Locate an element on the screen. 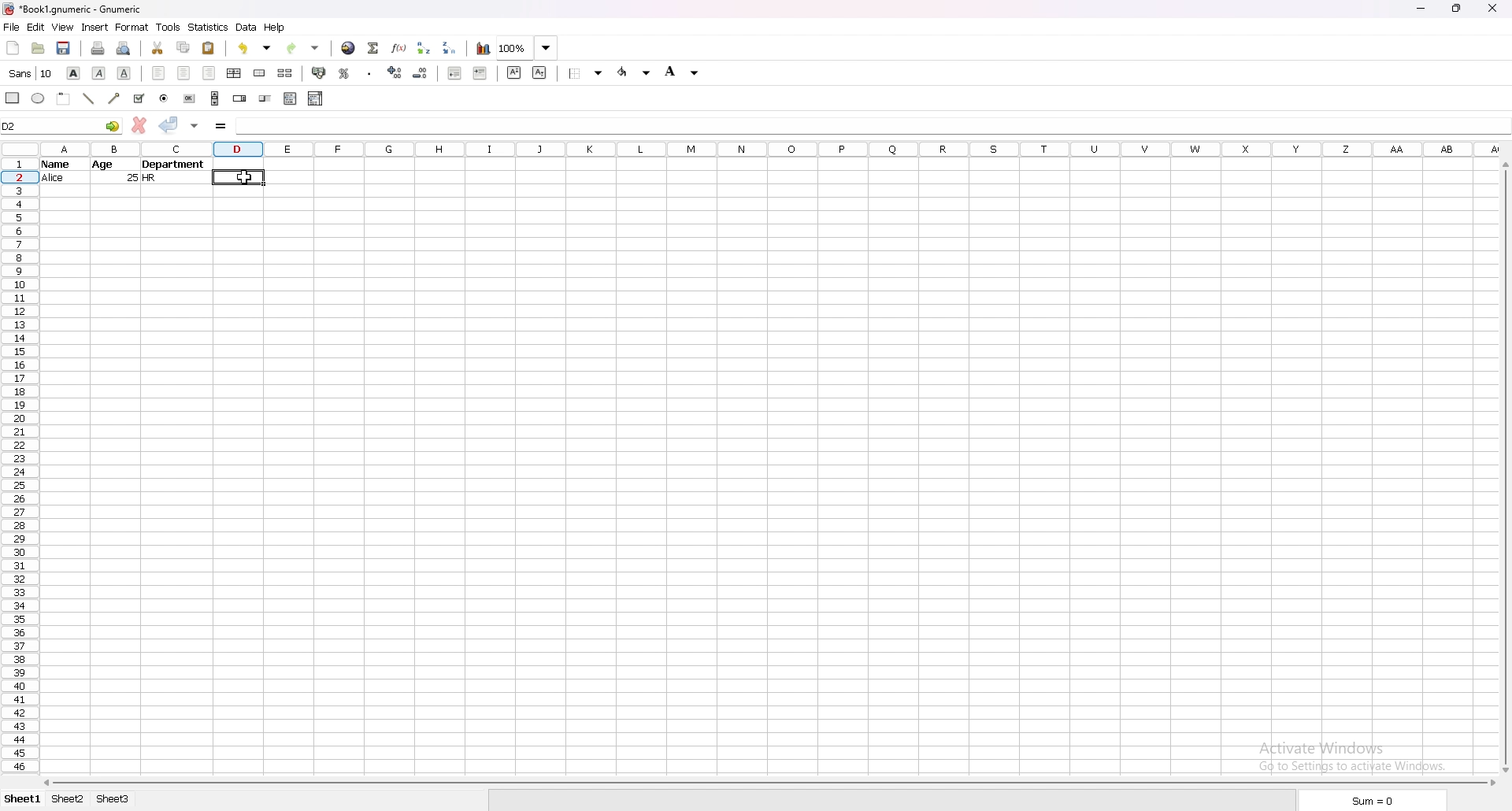  accounting is located at coordinates (318, 72).